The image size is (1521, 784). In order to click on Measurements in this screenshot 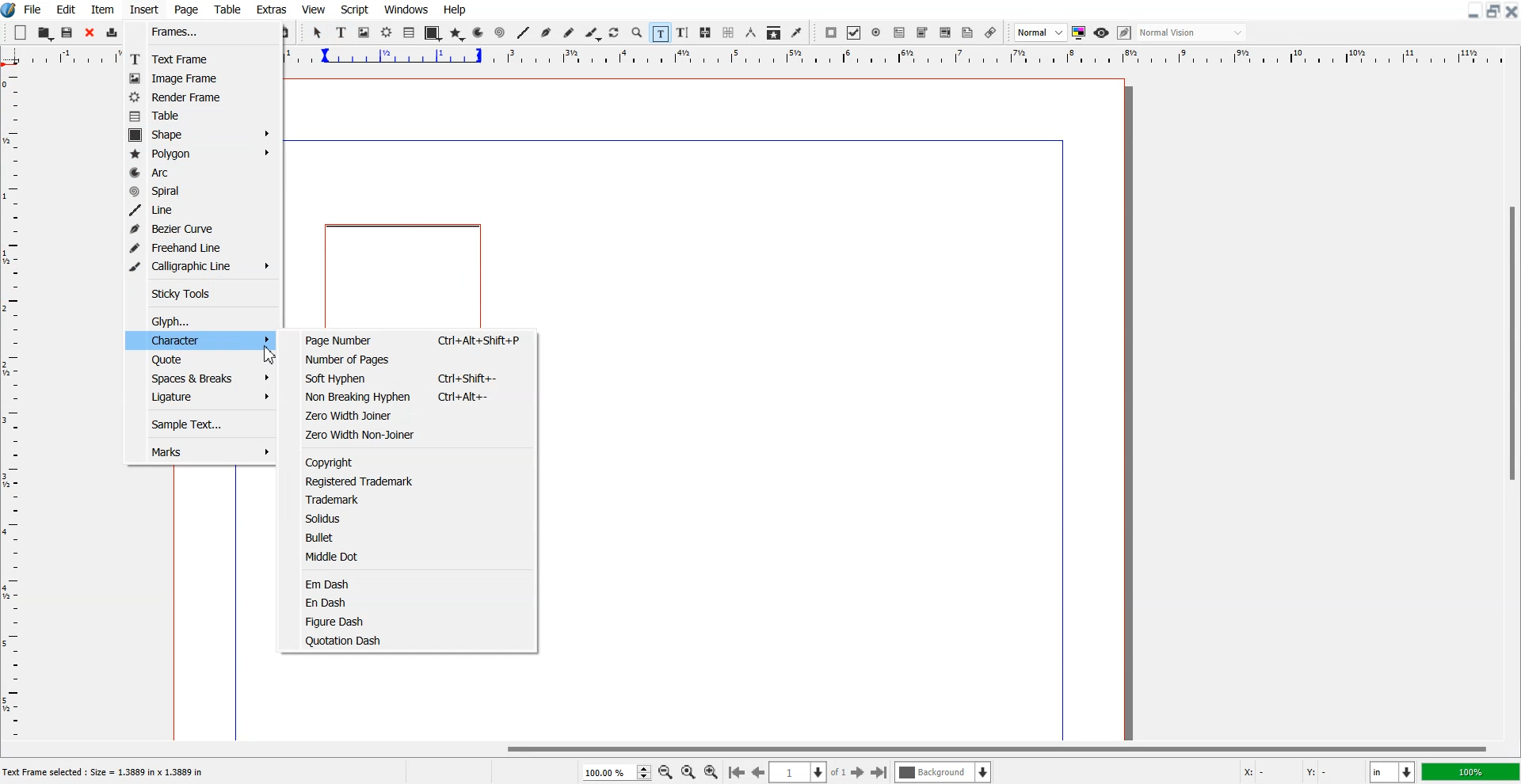, I will do `click(752, 32)`.